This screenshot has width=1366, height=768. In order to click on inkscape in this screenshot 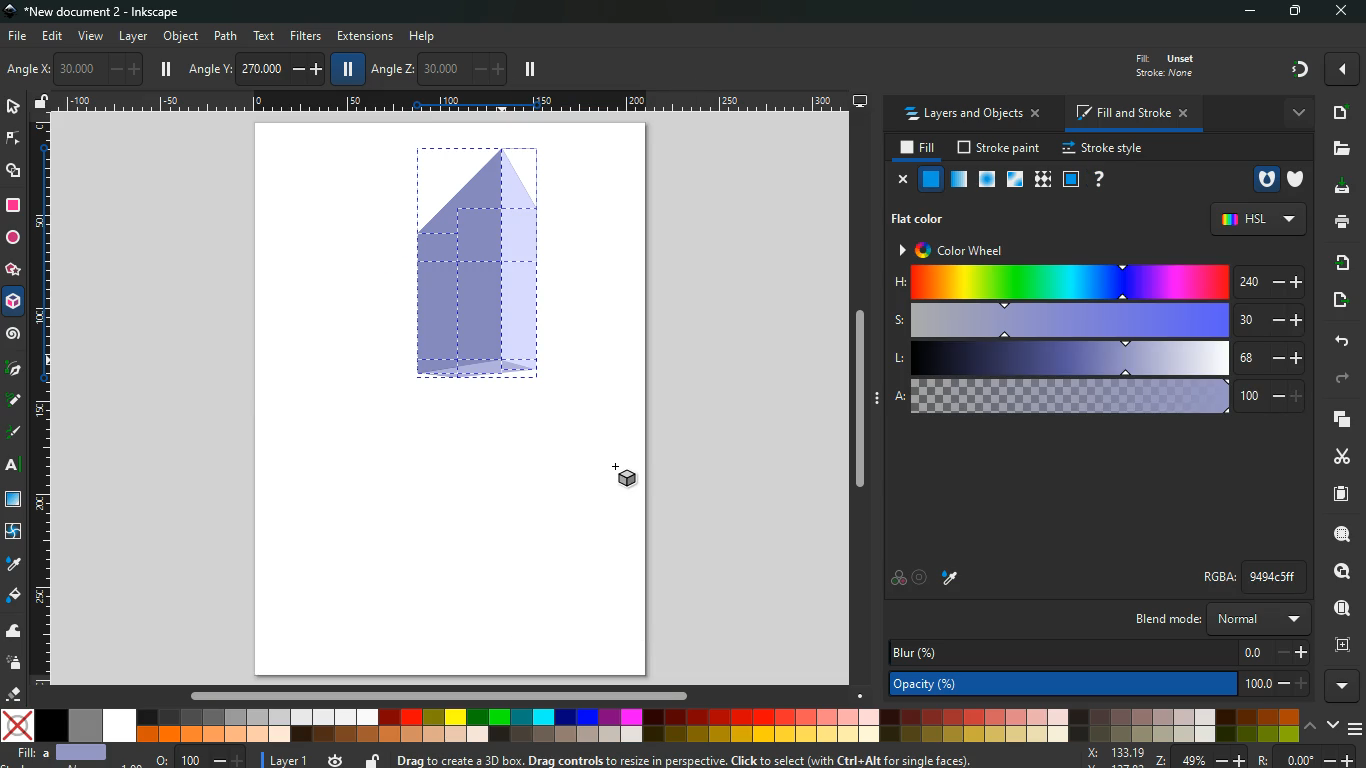, I will do `click(98, 13)`.